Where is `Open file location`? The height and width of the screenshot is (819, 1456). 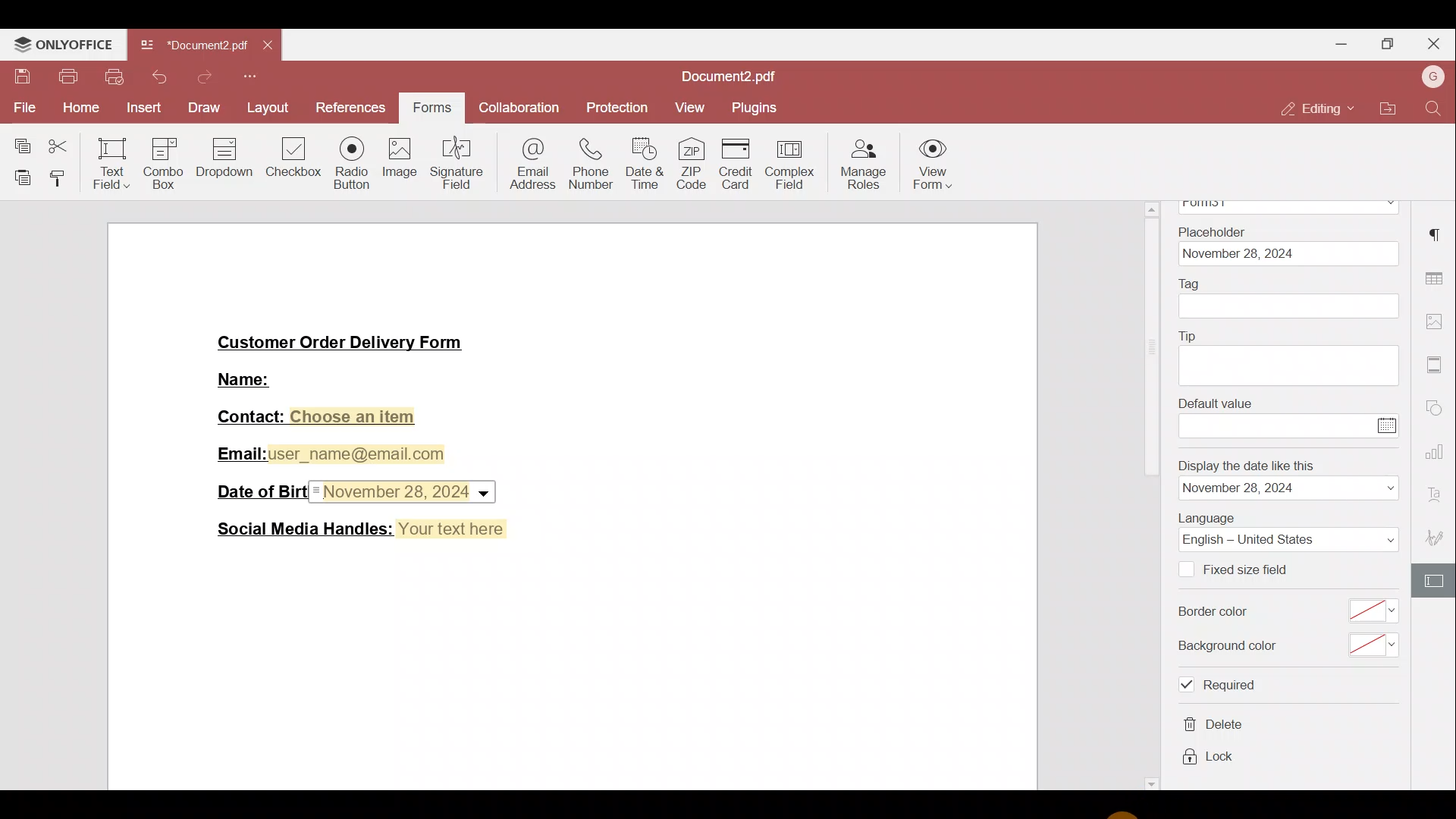 Open file location is located at coordinates (1389, 109).